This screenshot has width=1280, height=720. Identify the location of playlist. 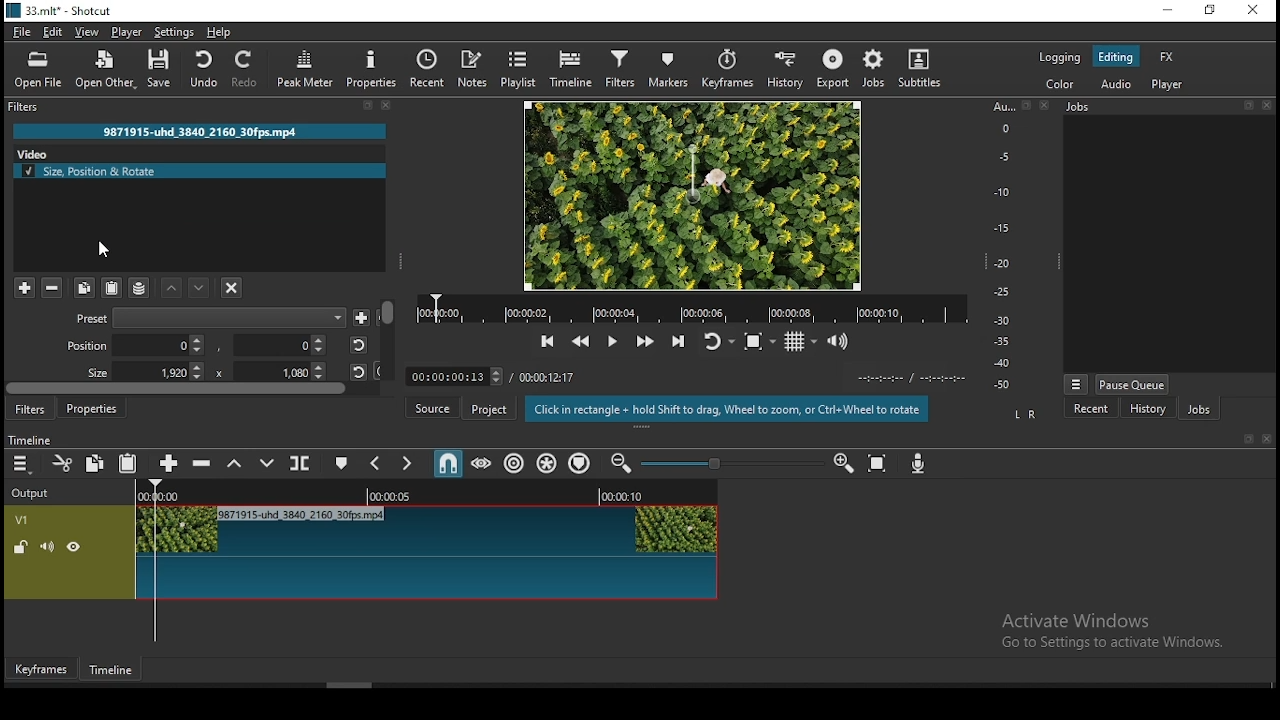
(523, 69).